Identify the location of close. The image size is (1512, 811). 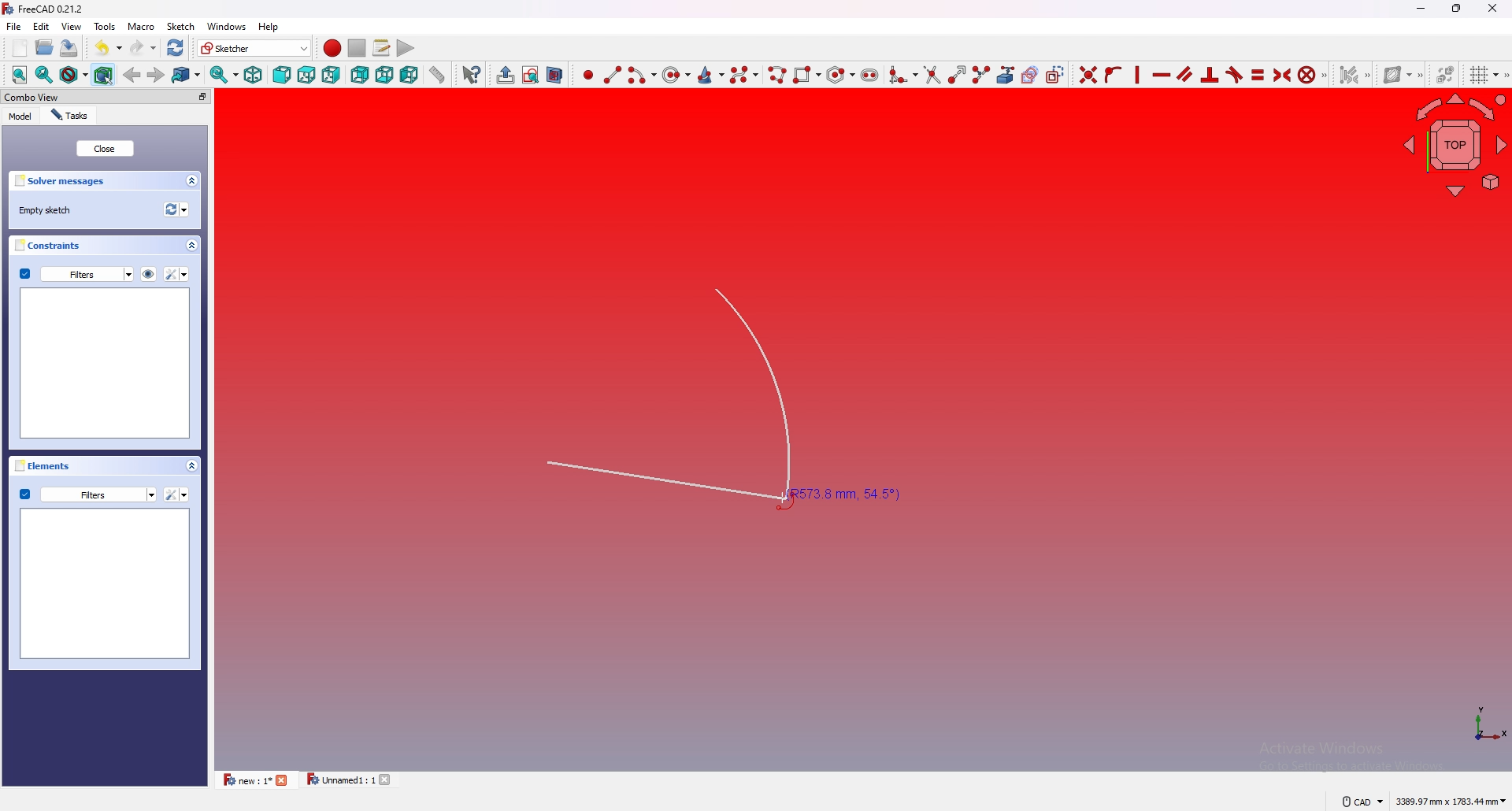
(283, 780).